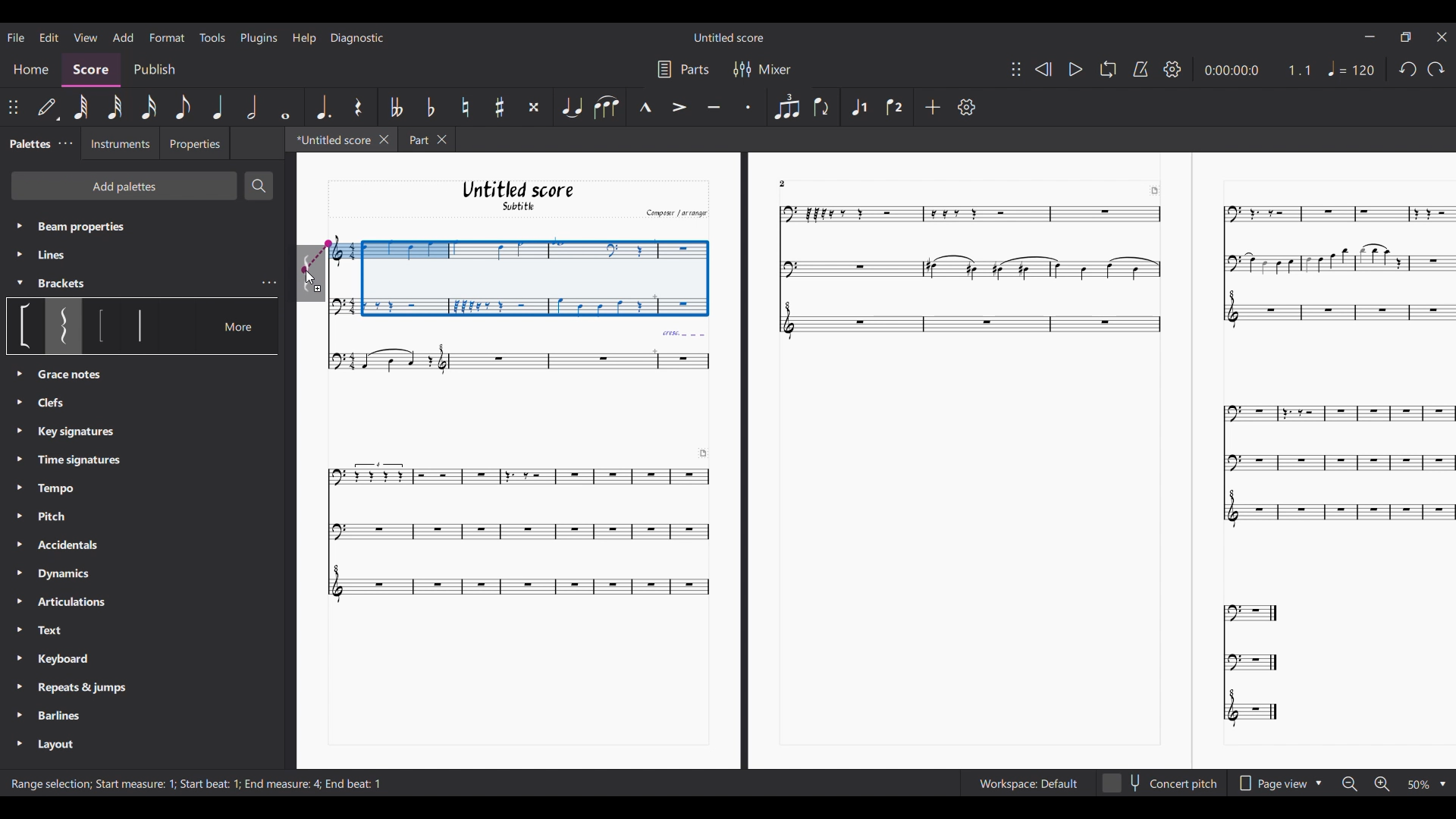 The image size is (1456, 819). What do you see at coordinates (17, 373) in the screenshot?
I see `` at bounding box center [17, 373].